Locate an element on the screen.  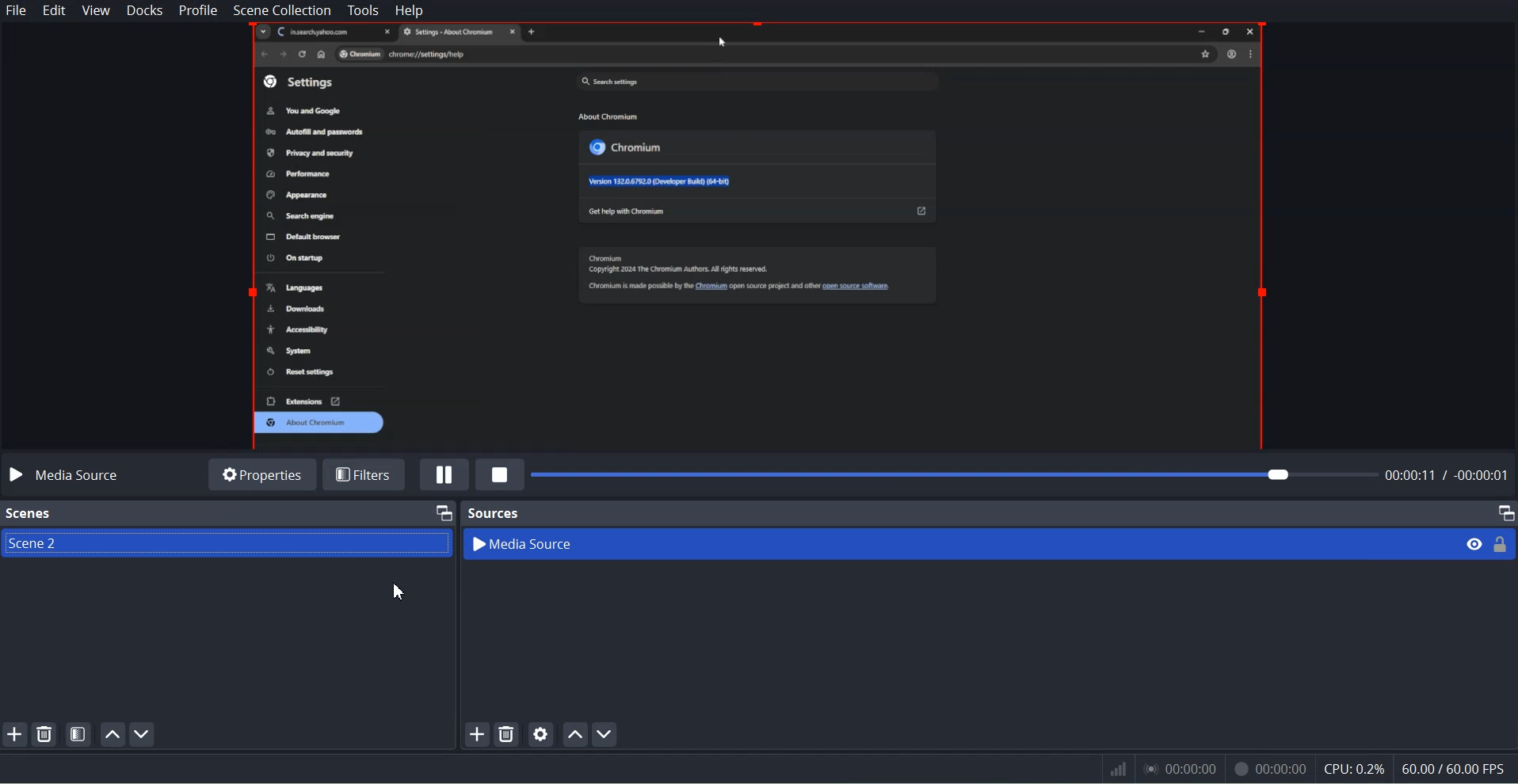
Scenes is located at coordinates (29, 514).